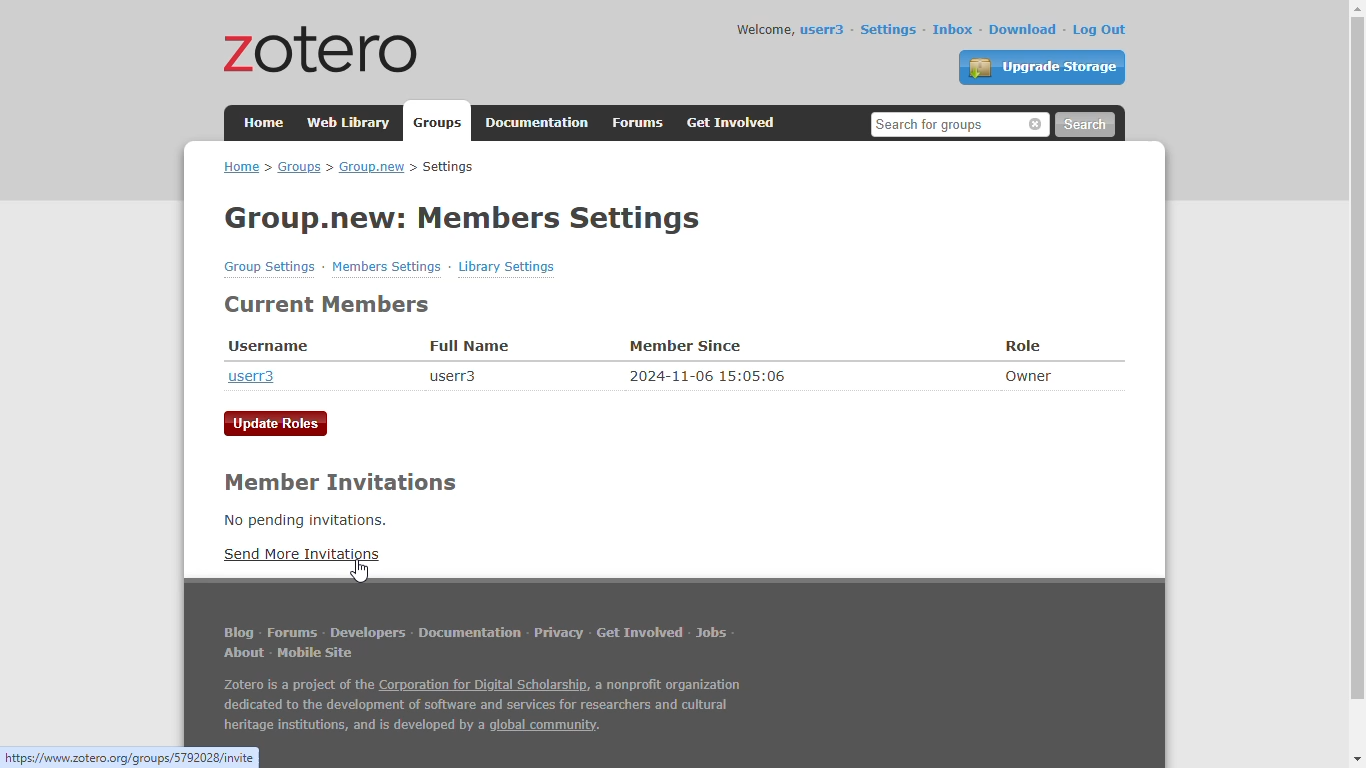 This screenshot has height=768, width=1366. Describe the element at coordinates (1024, 346) in the screenshot. I see `role` at that location.